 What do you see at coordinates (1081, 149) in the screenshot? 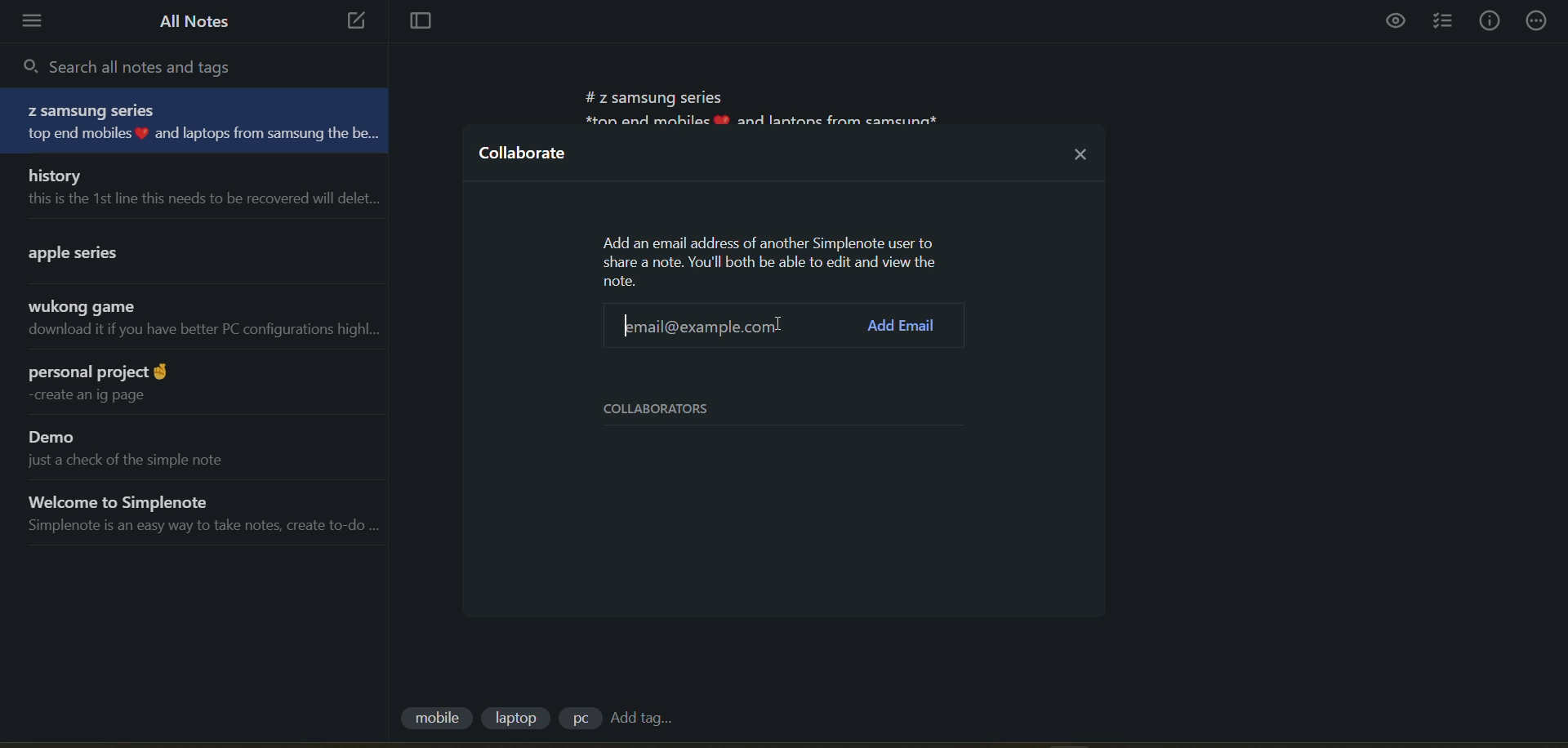
I see `close` at bounding box center [1081, 149].